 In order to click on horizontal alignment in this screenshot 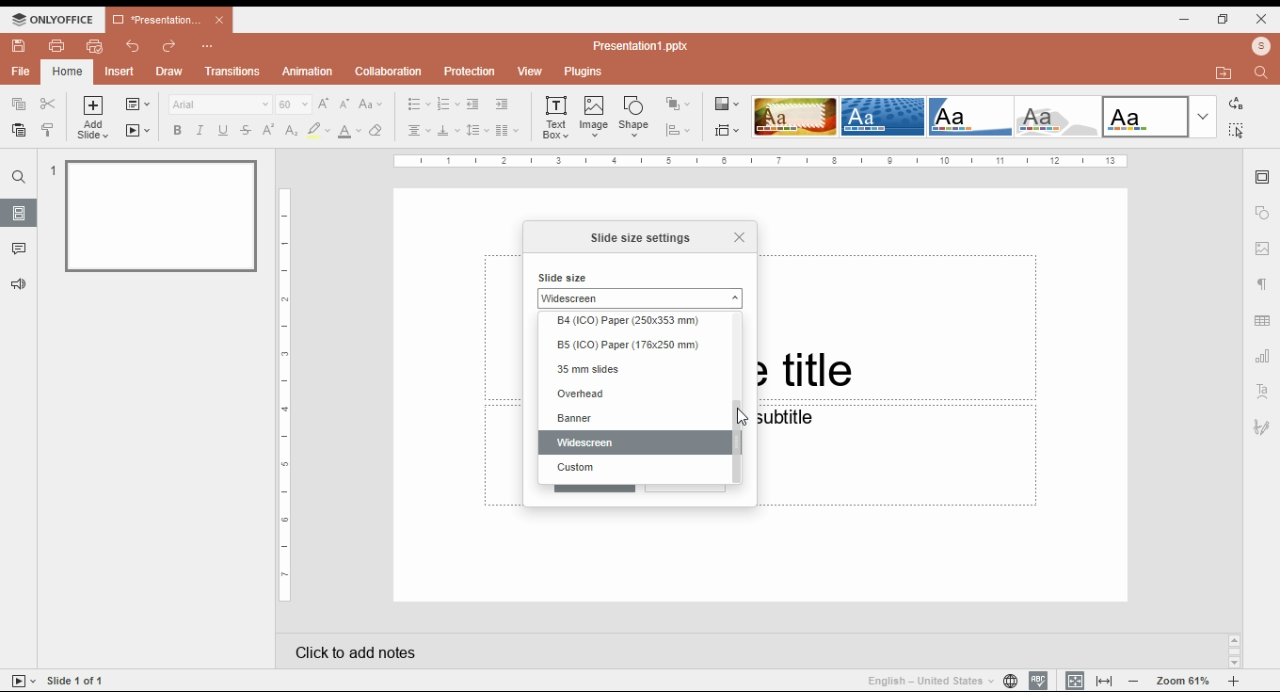, I will do `click(417, 132)`.